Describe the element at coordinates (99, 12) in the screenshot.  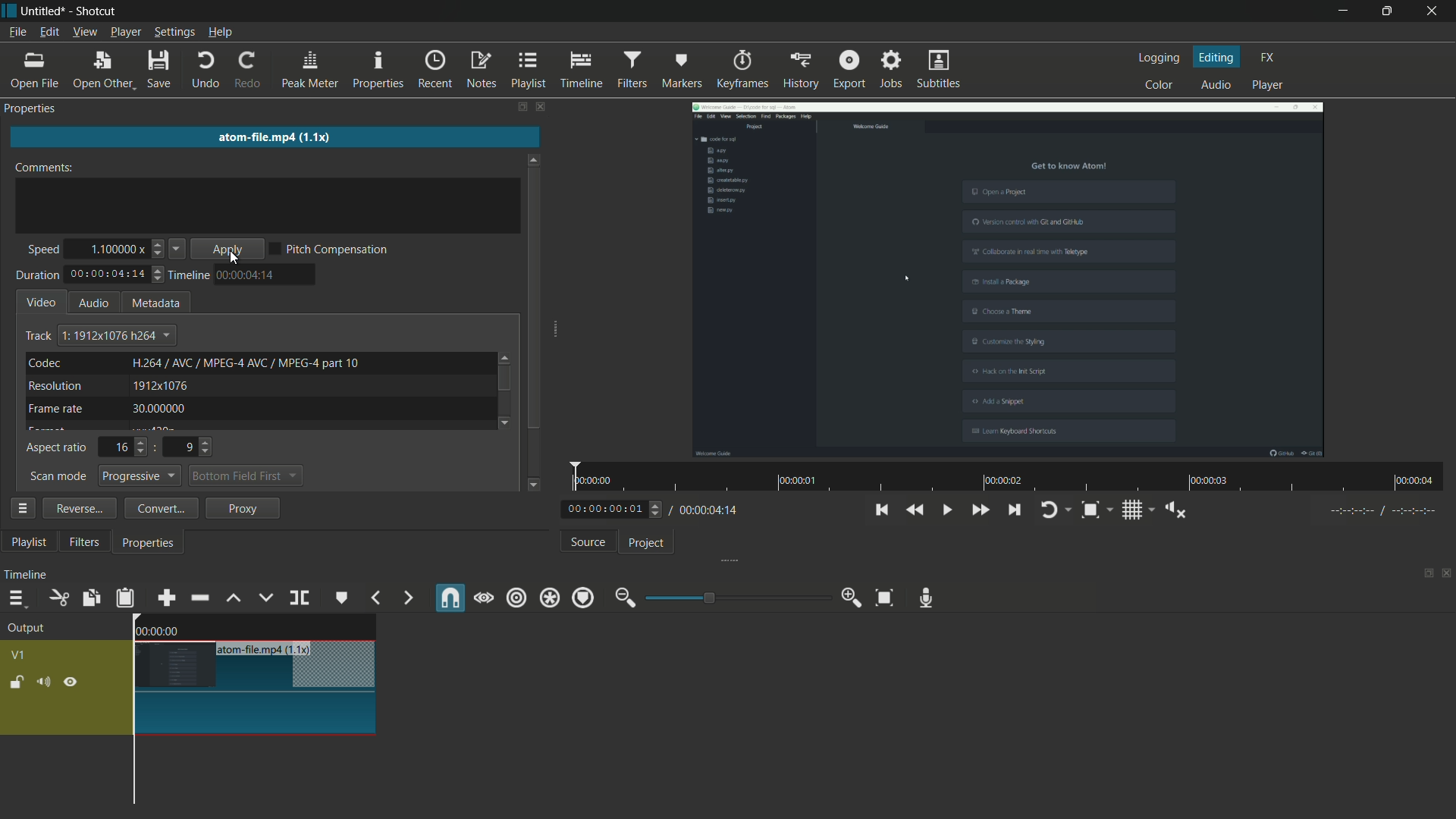
I see `app name` at that location.